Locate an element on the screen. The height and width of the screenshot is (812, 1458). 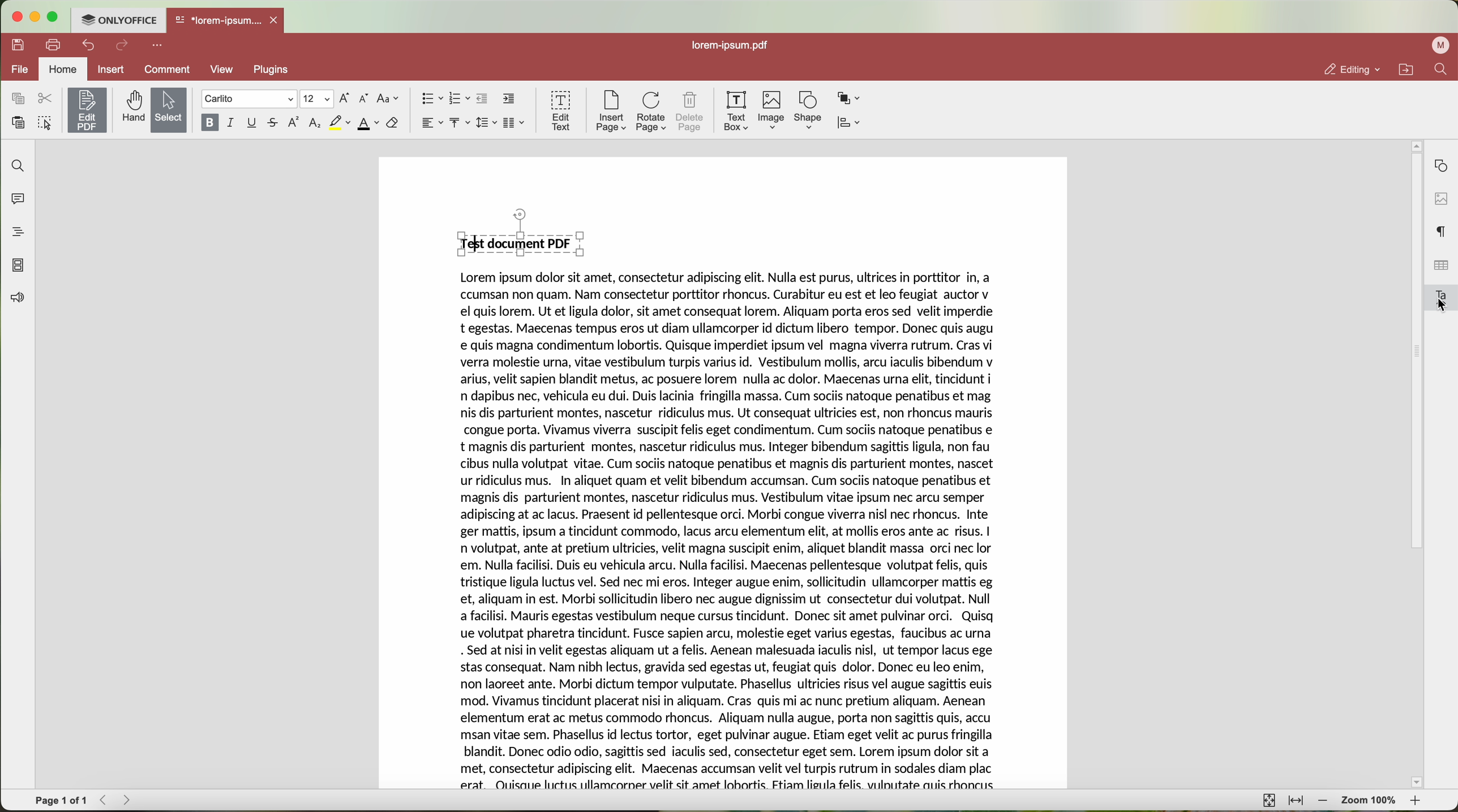
fit to width is located at coordinates (1296, 801).